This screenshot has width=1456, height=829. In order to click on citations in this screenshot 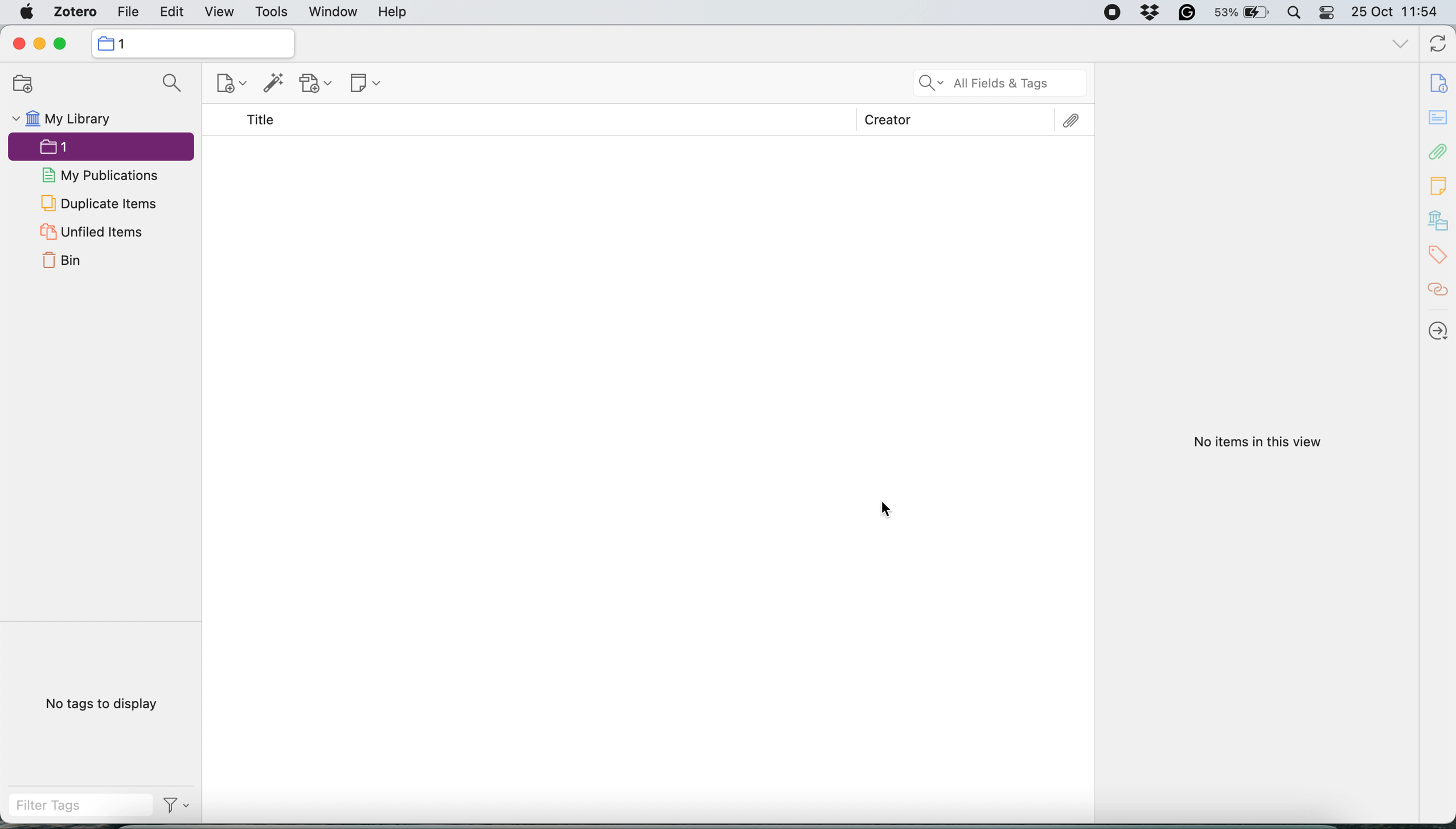, I will do `click(1439, 290)`.